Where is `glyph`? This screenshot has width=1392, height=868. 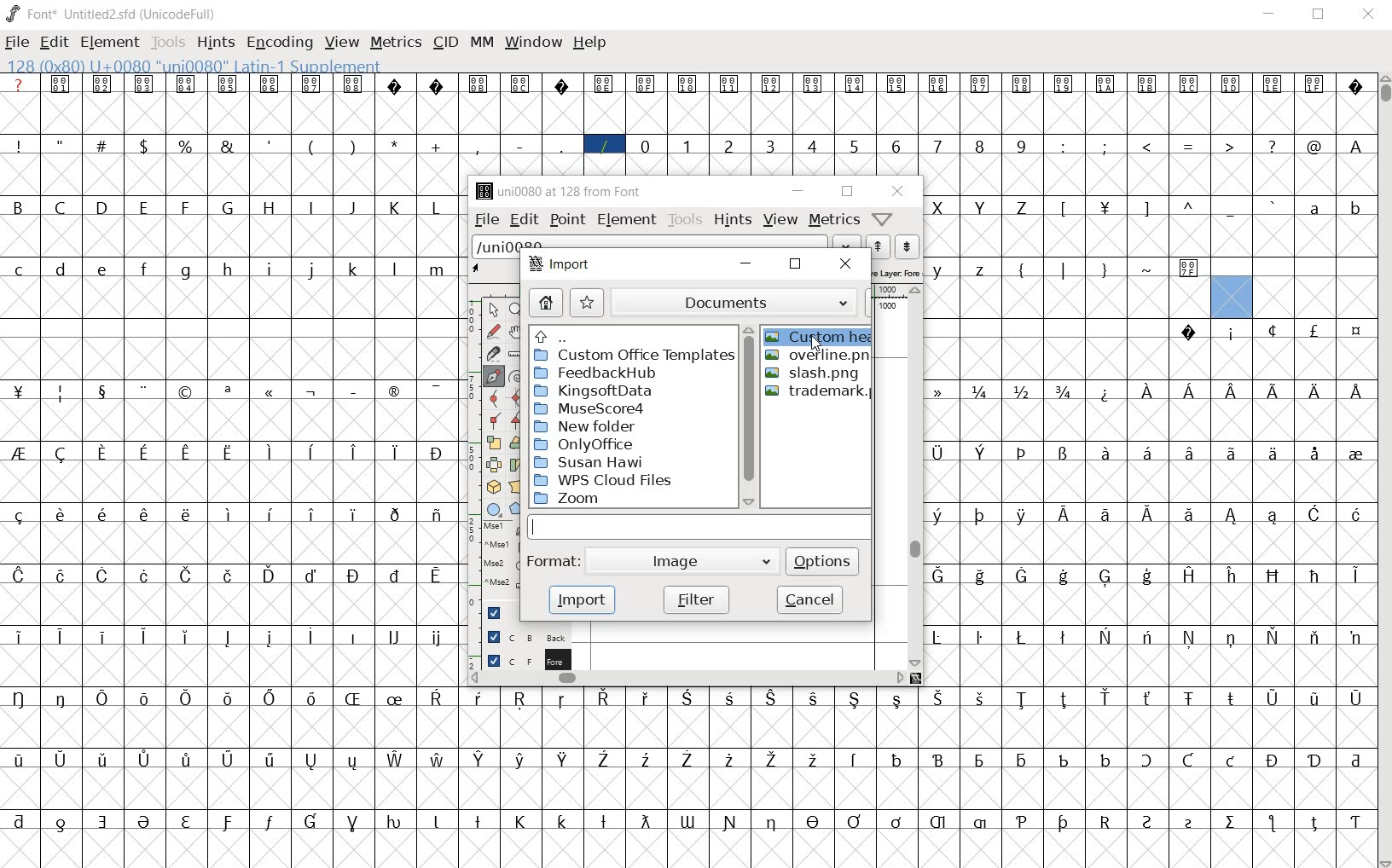
glyph is located at coordinates (61, 825).